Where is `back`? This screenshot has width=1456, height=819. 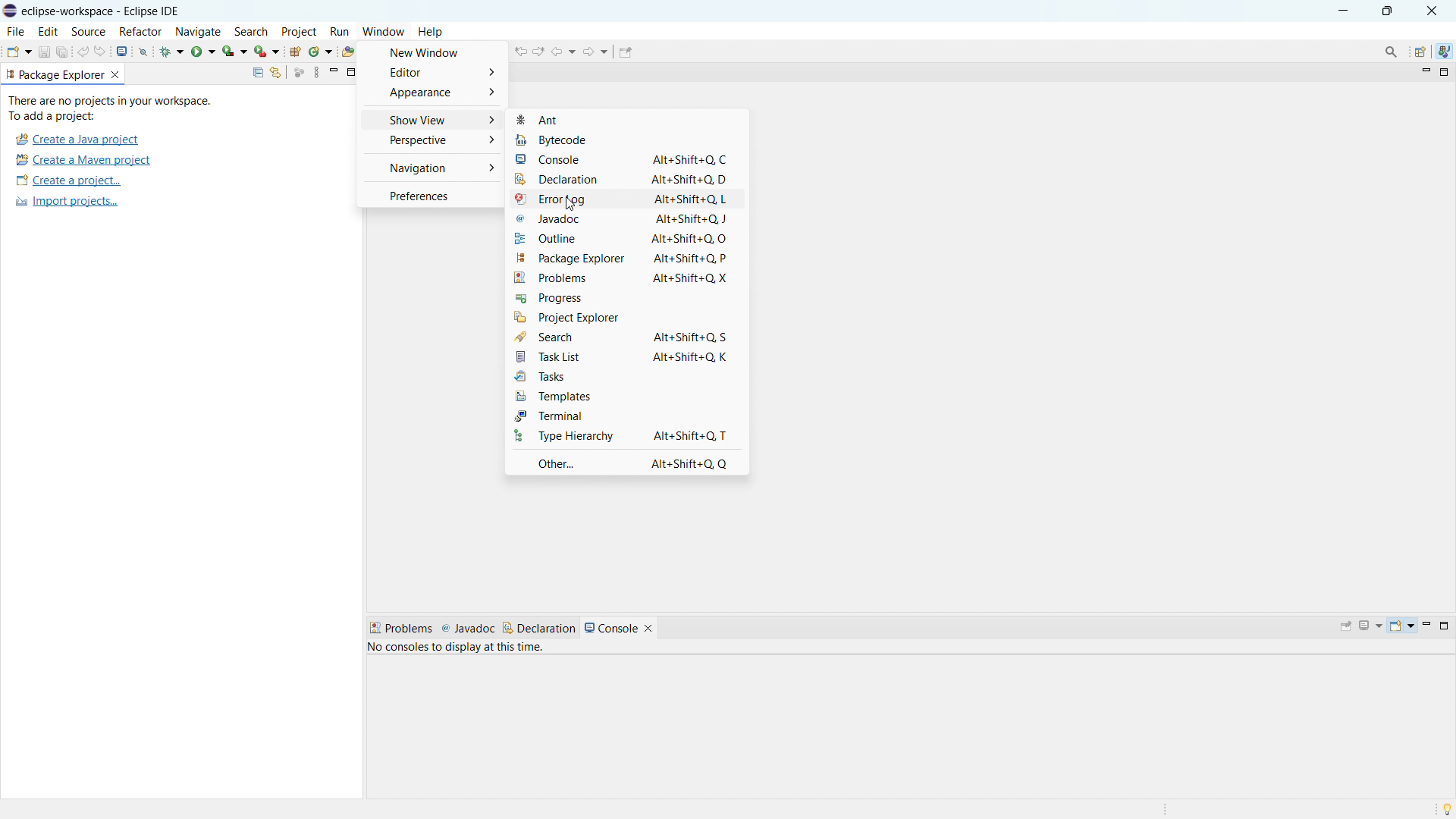
back is located at coordinates (563, 52).